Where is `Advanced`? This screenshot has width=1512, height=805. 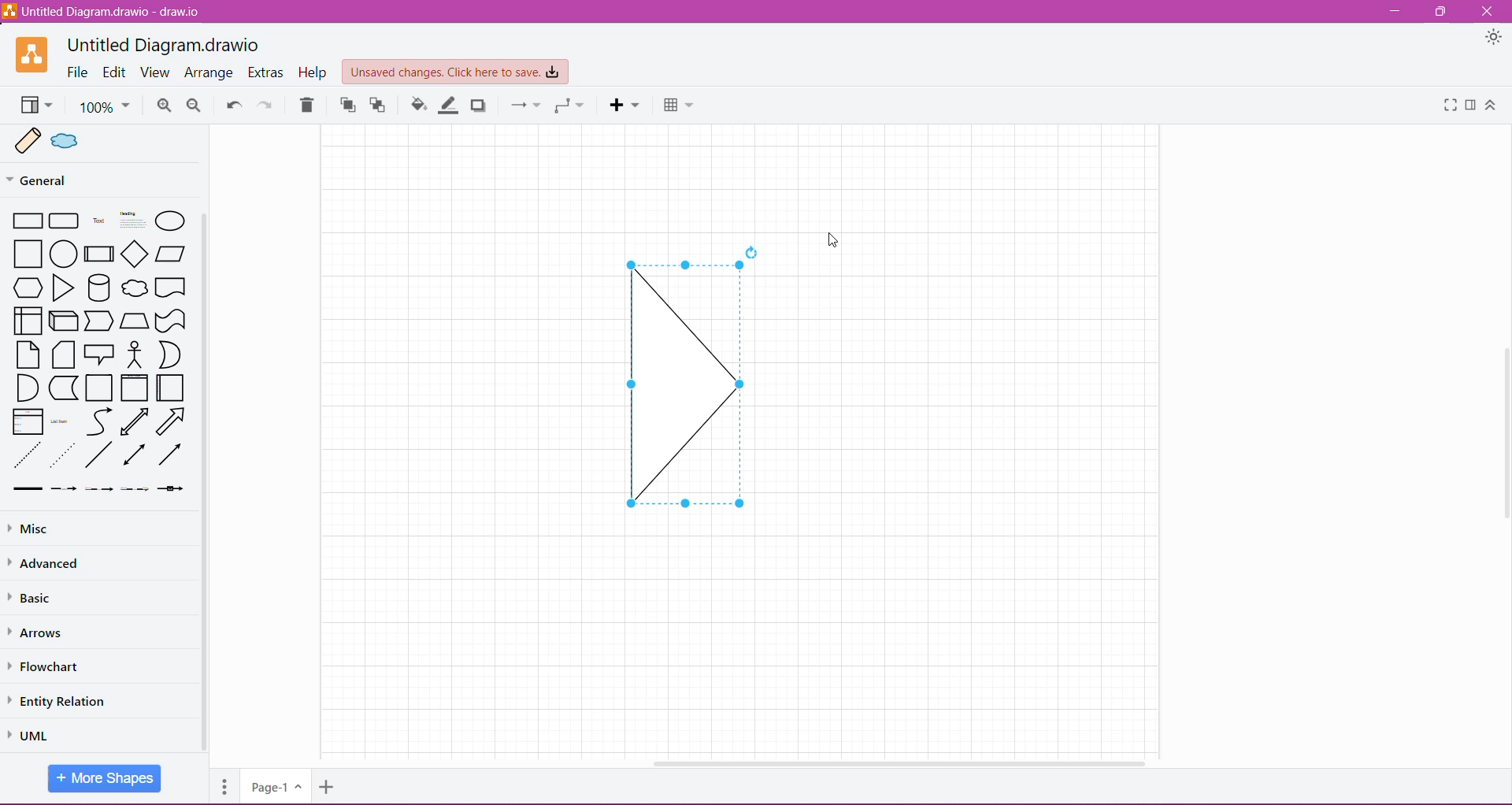 Advanced is located at coordinates (48, 566).